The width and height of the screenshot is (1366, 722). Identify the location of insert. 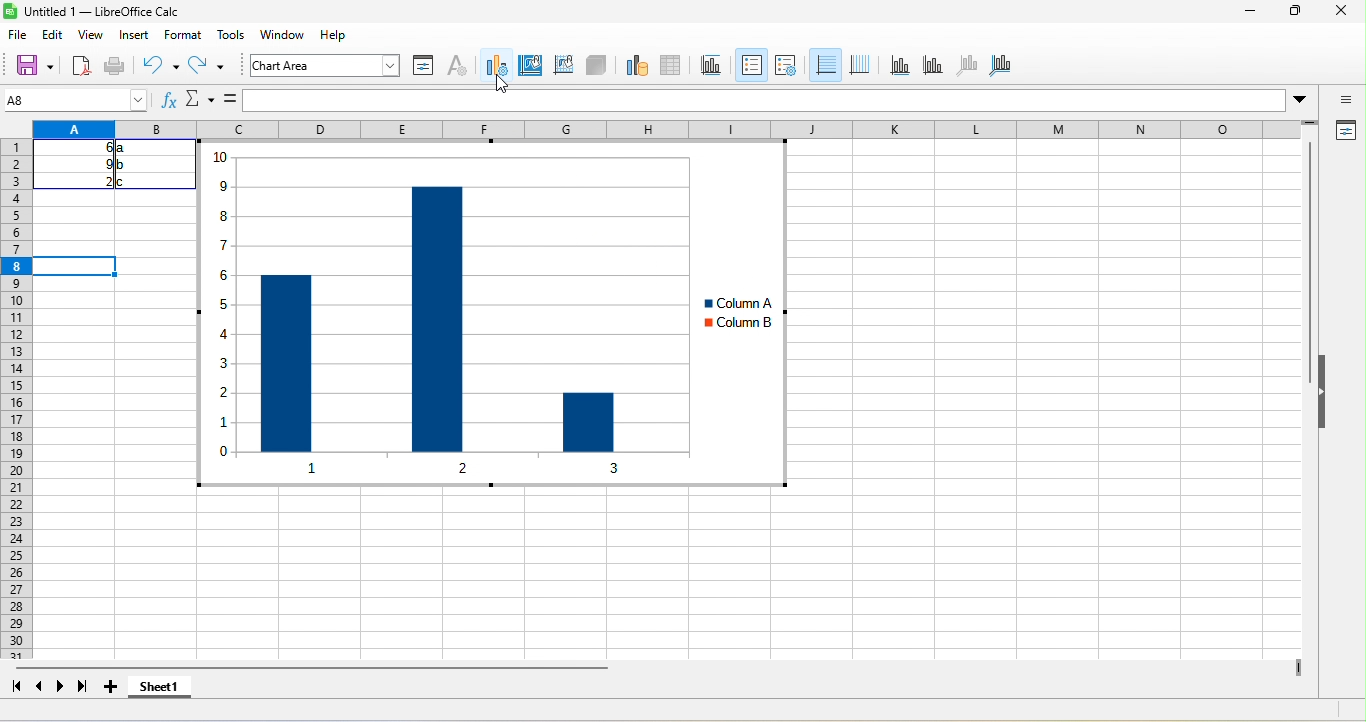
(140, 36).